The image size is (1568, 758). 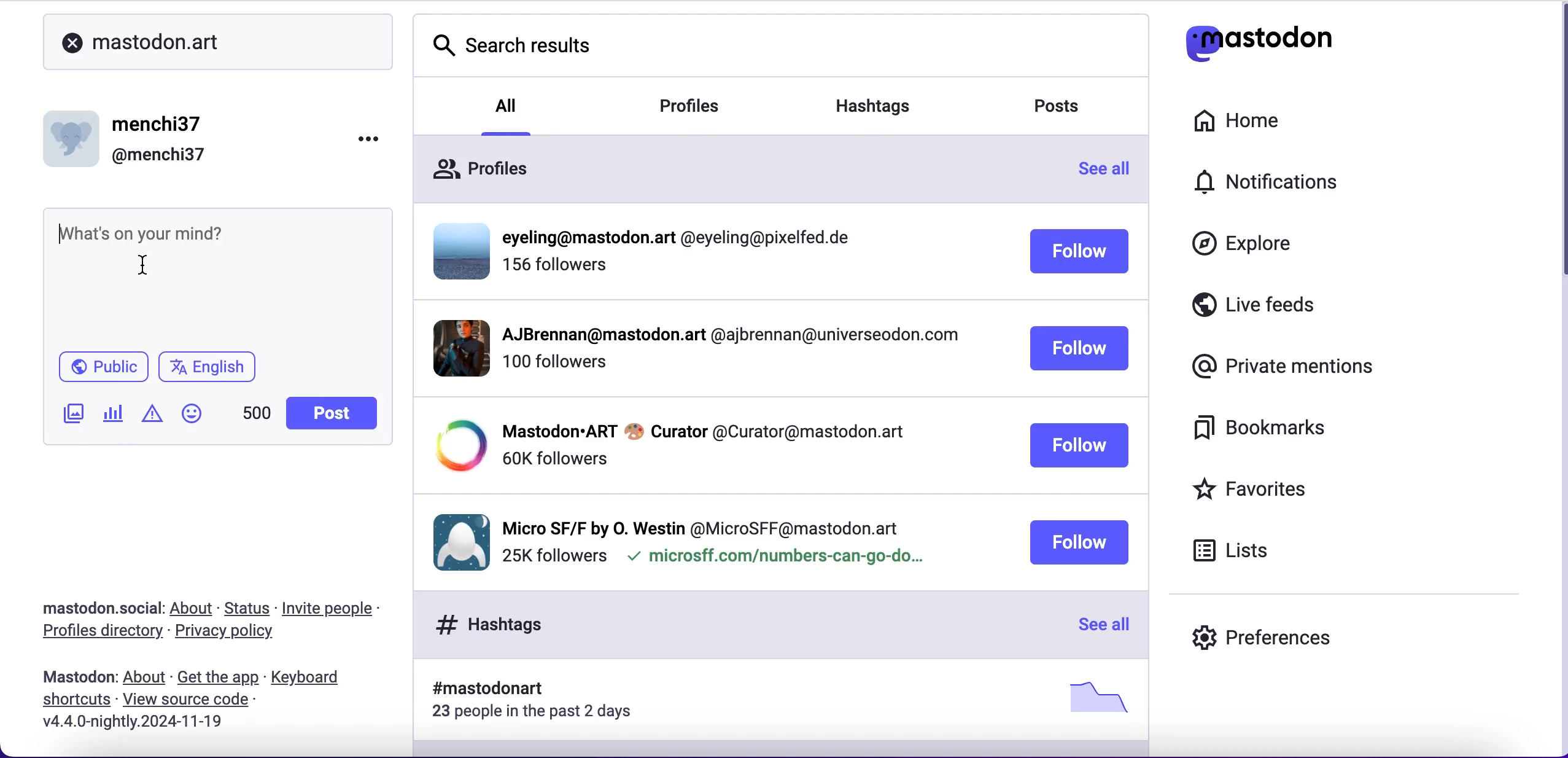 What do you see at coordinates (1236, 117) in the screenshot?
I see `home` at bounding box center [1236, 117].